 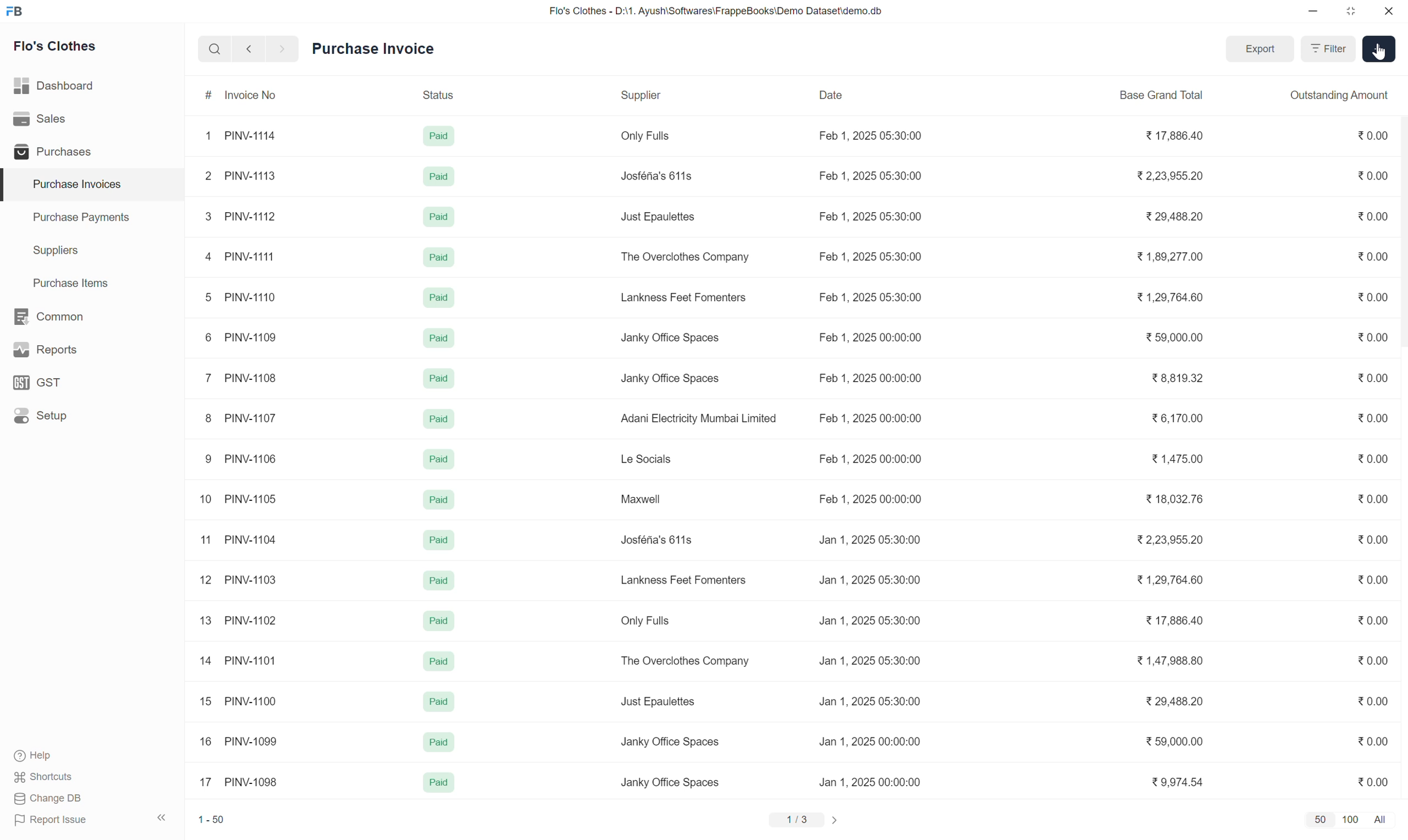 I want to click on Report Issue, so click(x=51, y=820).